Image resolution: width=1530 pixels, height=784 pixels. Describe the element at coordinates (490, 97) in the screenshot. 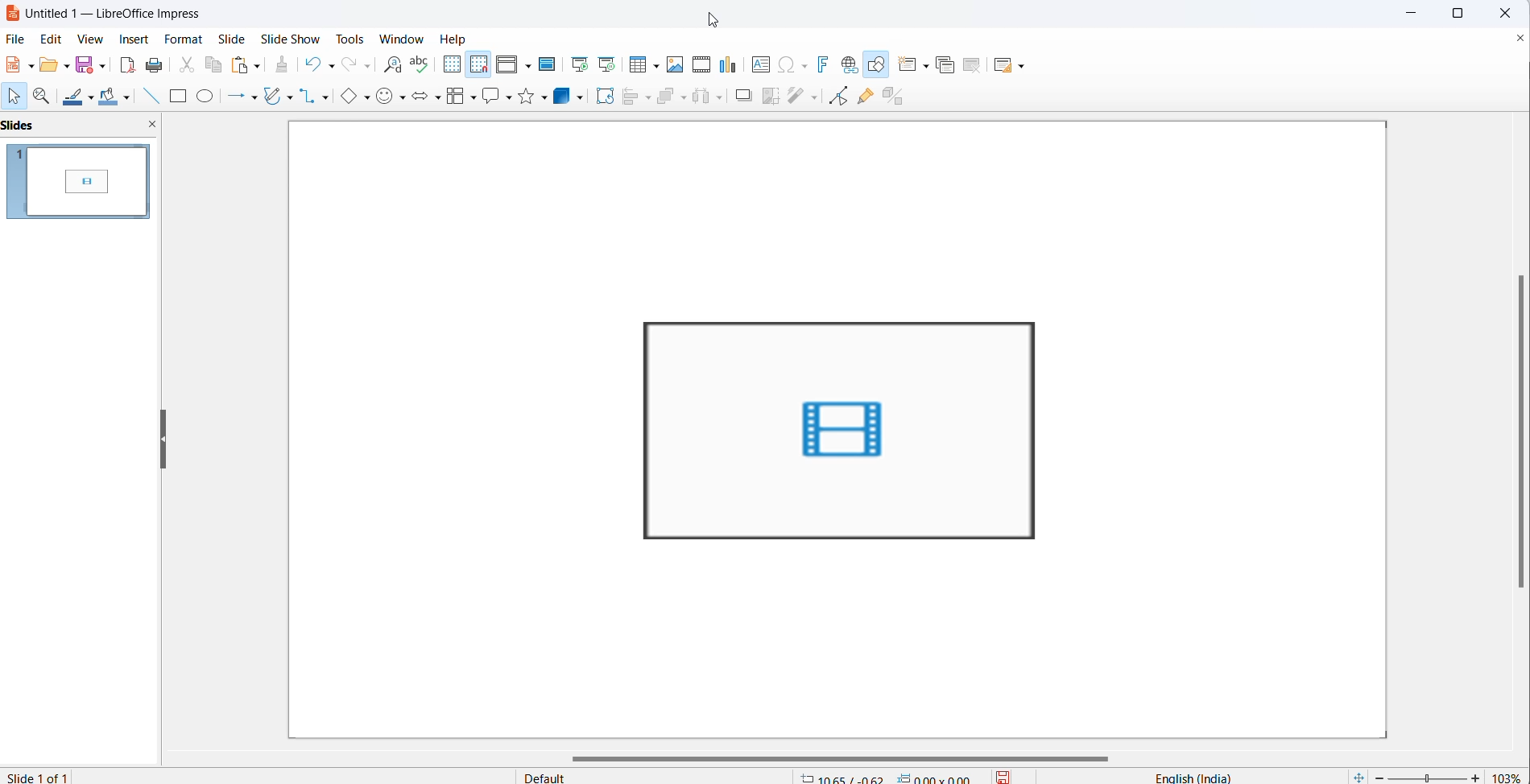

I see `callout shapes` at that location.